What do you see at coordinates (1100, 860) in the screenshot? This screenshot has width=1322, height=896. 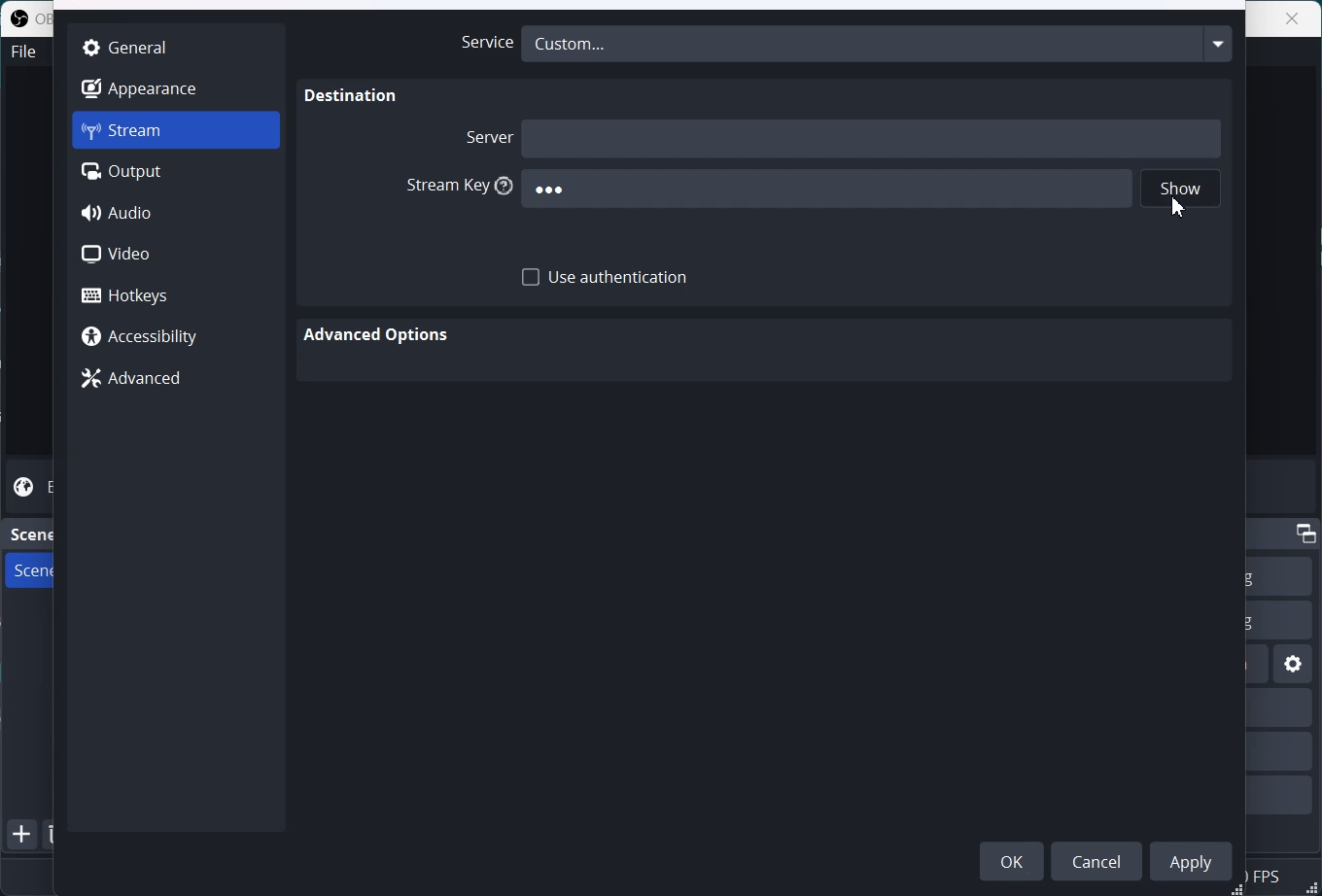 I see `Cancel` at bounding box center [1100, 860].